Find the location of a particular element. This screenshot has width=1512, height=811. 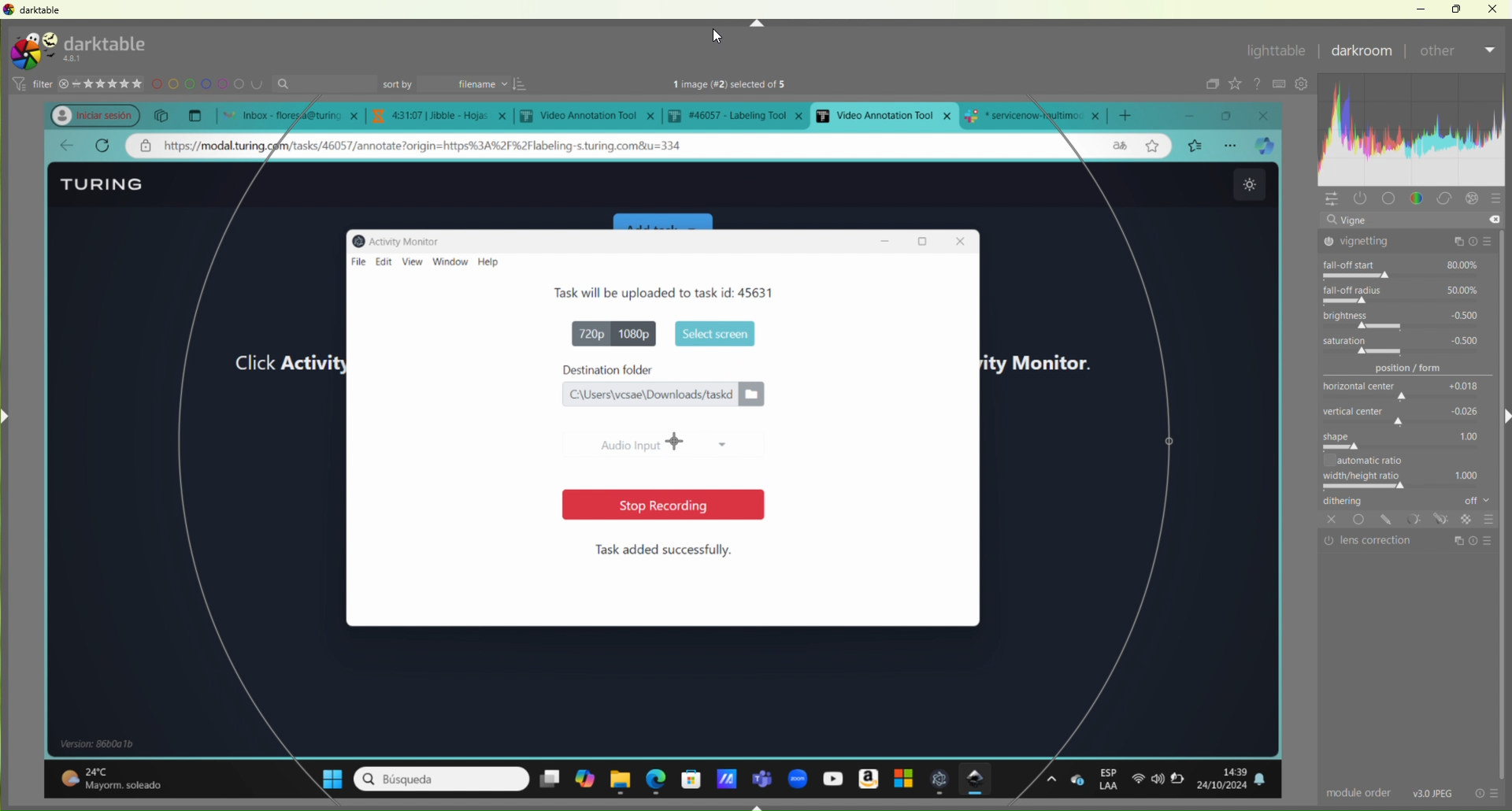

file is located at coordinates (354, 261).